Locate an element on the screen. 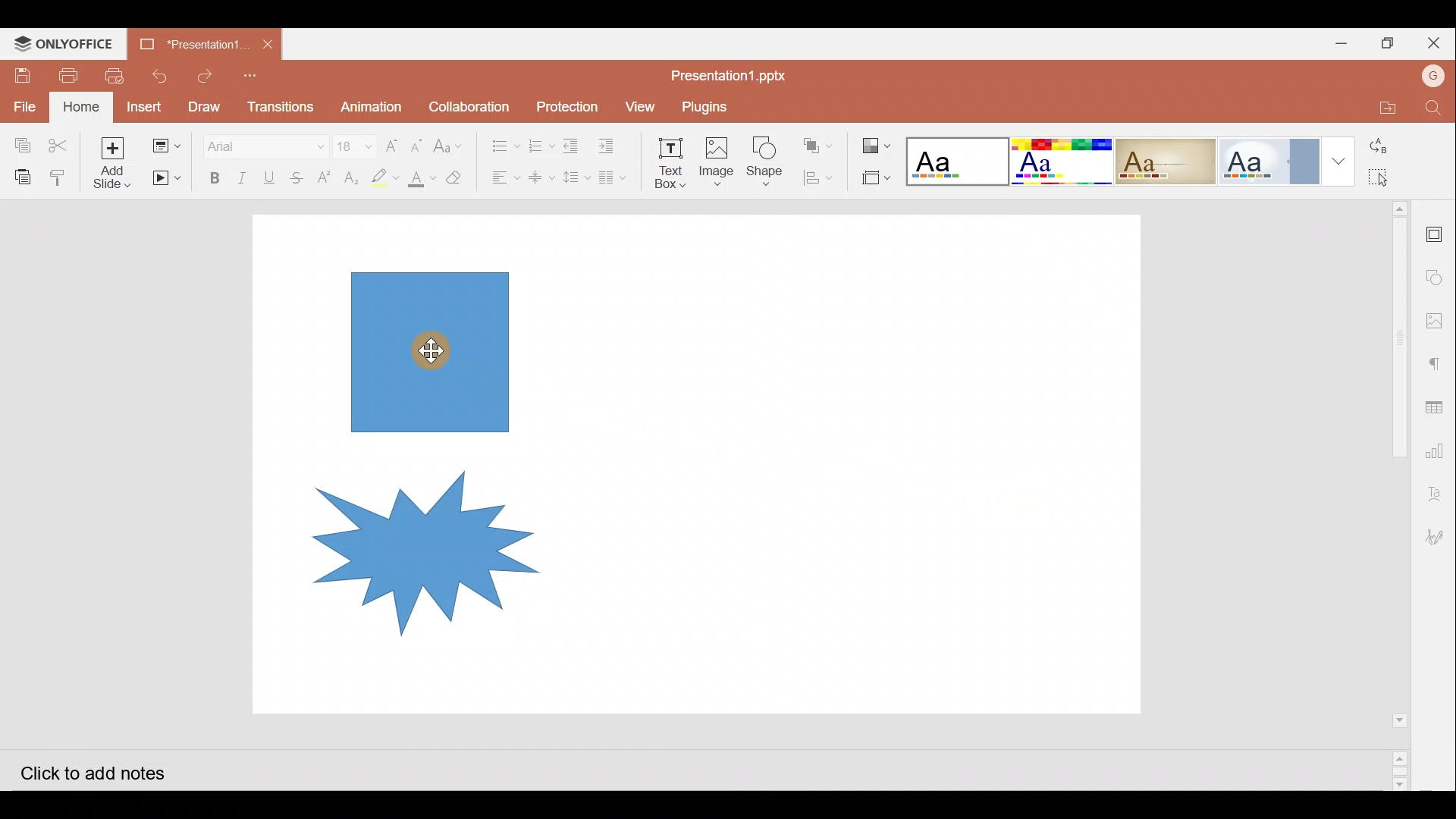  Slide settings is located at coordinates (1437, 231).